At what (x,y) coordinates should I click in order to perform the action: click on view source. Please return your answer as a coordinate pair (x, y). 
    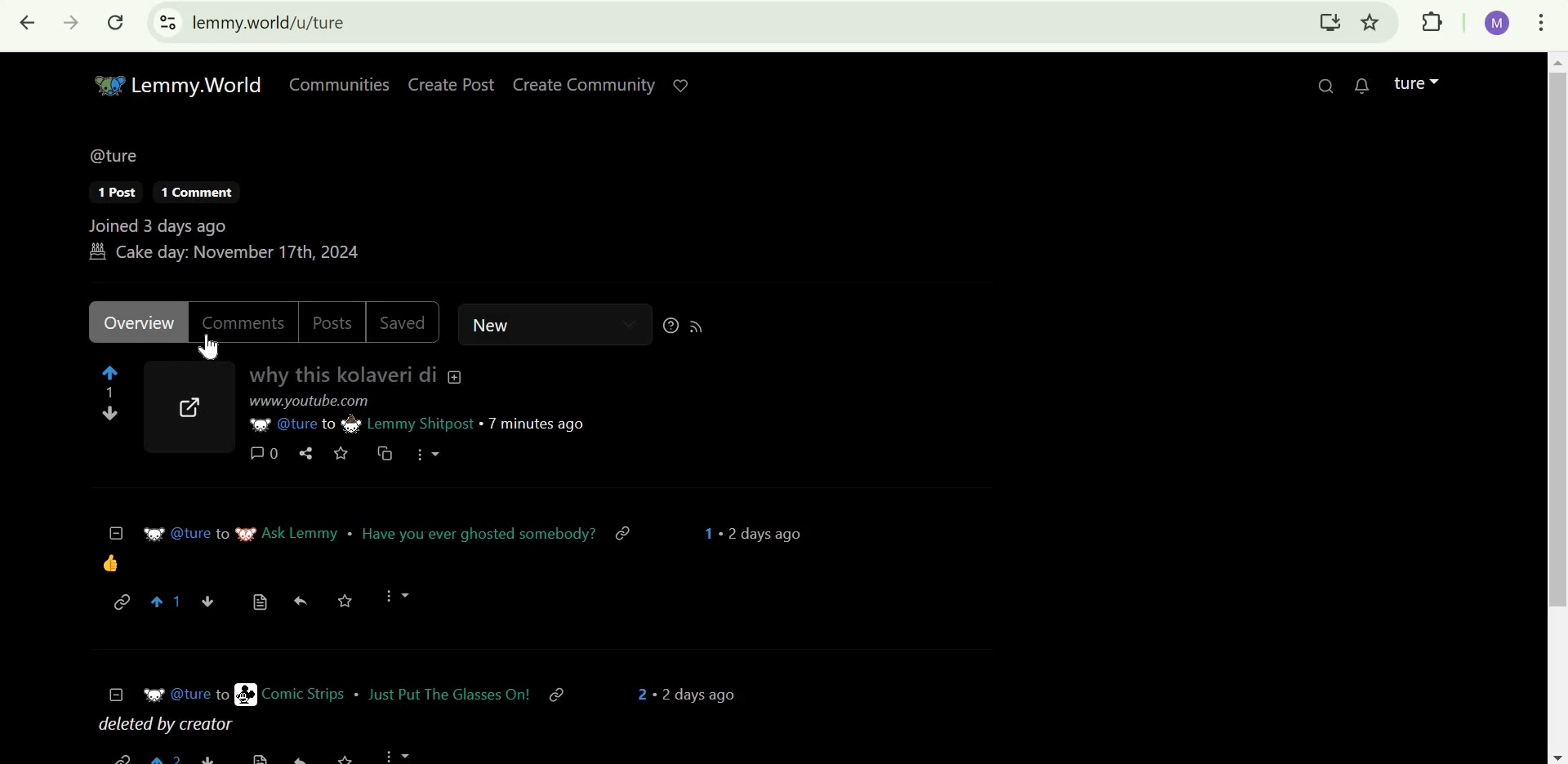
    Looking at the image, I should click on (257, 602).